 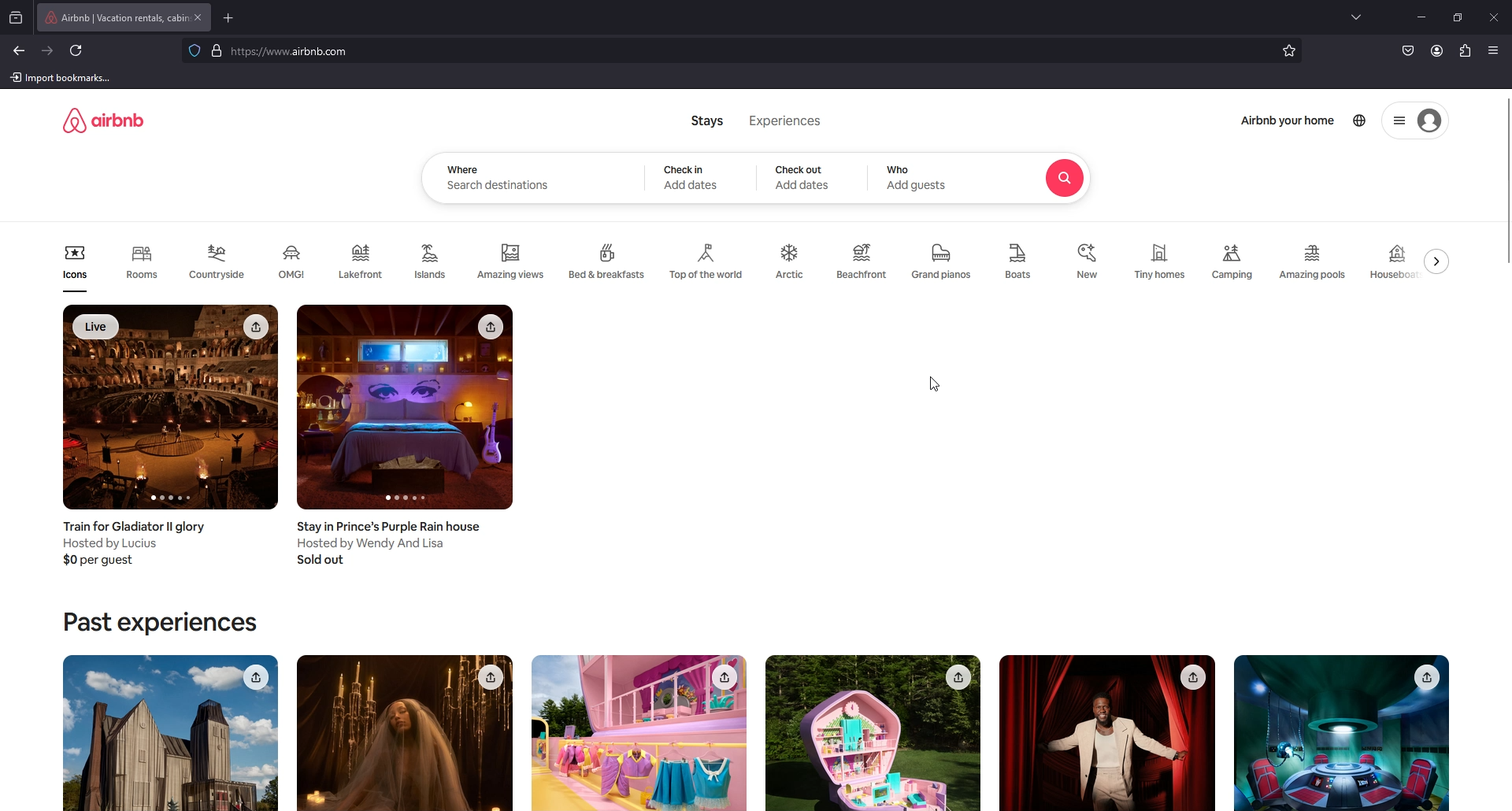 I want to click on Train for Gladiator Il glory Hosted by Lucius $0 per guest., so click(x=137, y=544).